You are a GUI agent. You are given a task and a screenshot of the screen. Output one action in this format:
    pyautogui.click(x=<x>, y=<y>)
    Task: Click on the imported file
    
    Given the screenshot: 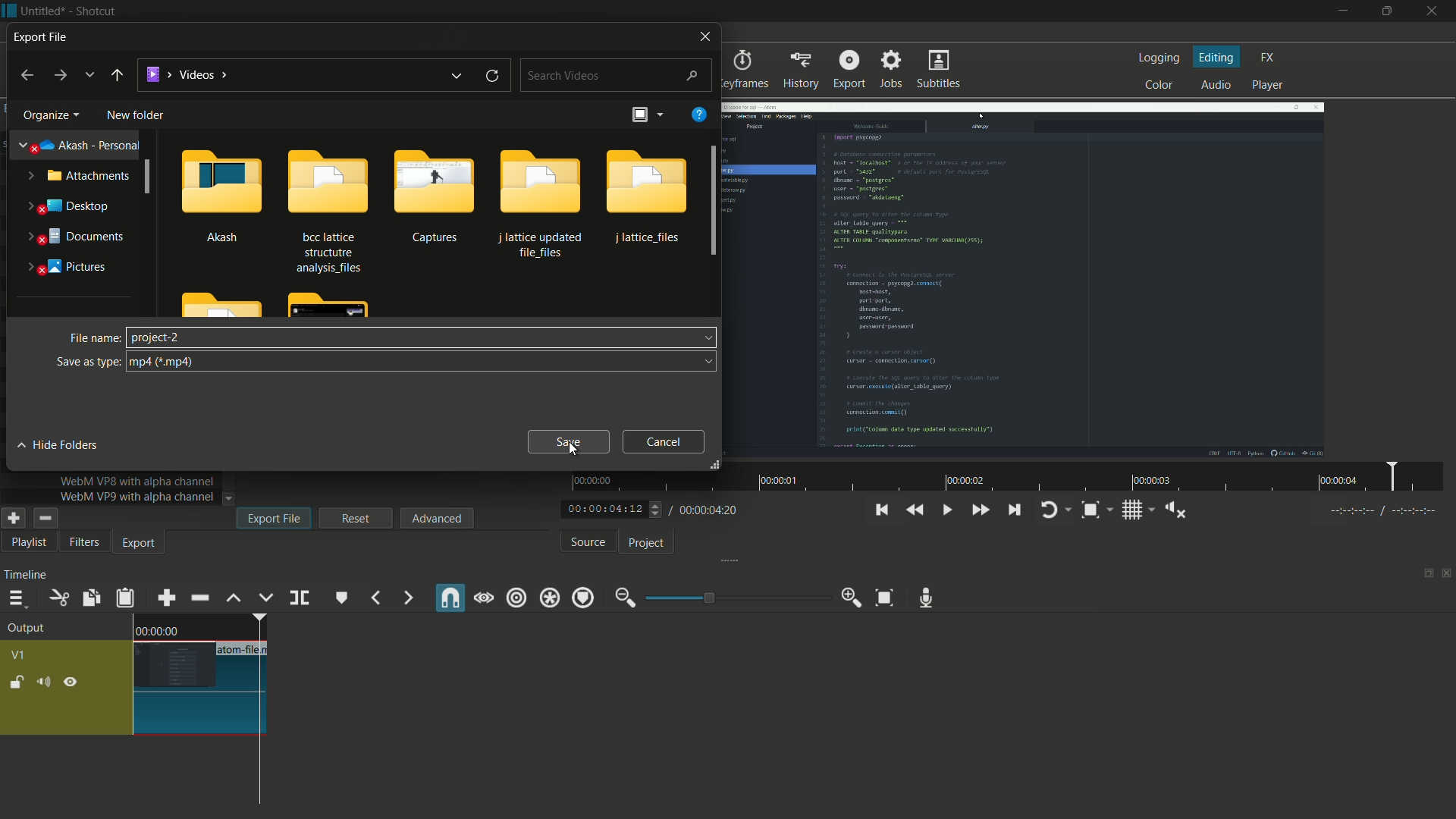 What is the action you would take?
    pyautogui.click(x=1022, y=281)
    